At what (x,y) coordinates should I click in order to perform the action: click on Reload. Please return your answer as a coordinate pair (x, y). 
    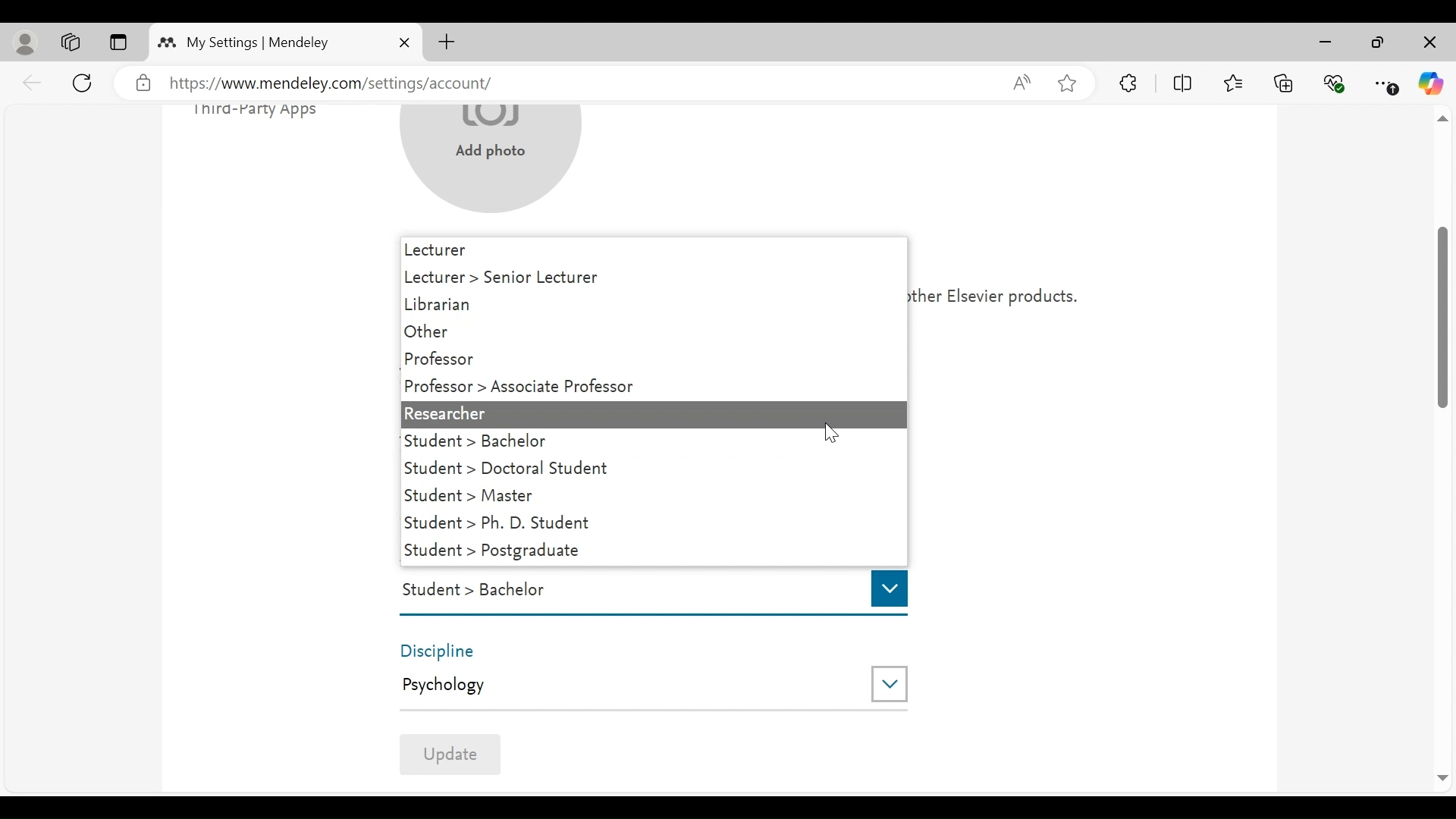
    Looking at the image, I should click on (85, 81).